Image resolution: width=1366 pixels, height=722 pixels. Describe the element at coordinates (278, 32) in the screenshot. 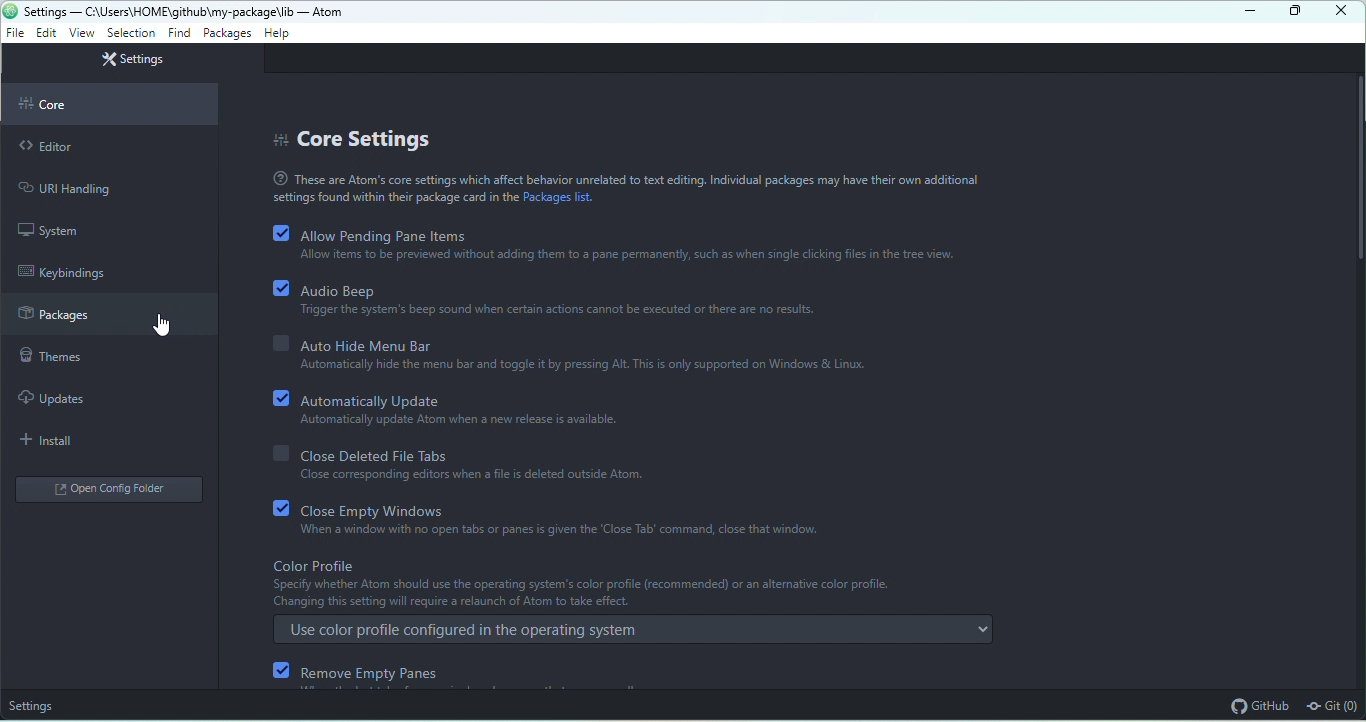

I see `help` at that location.